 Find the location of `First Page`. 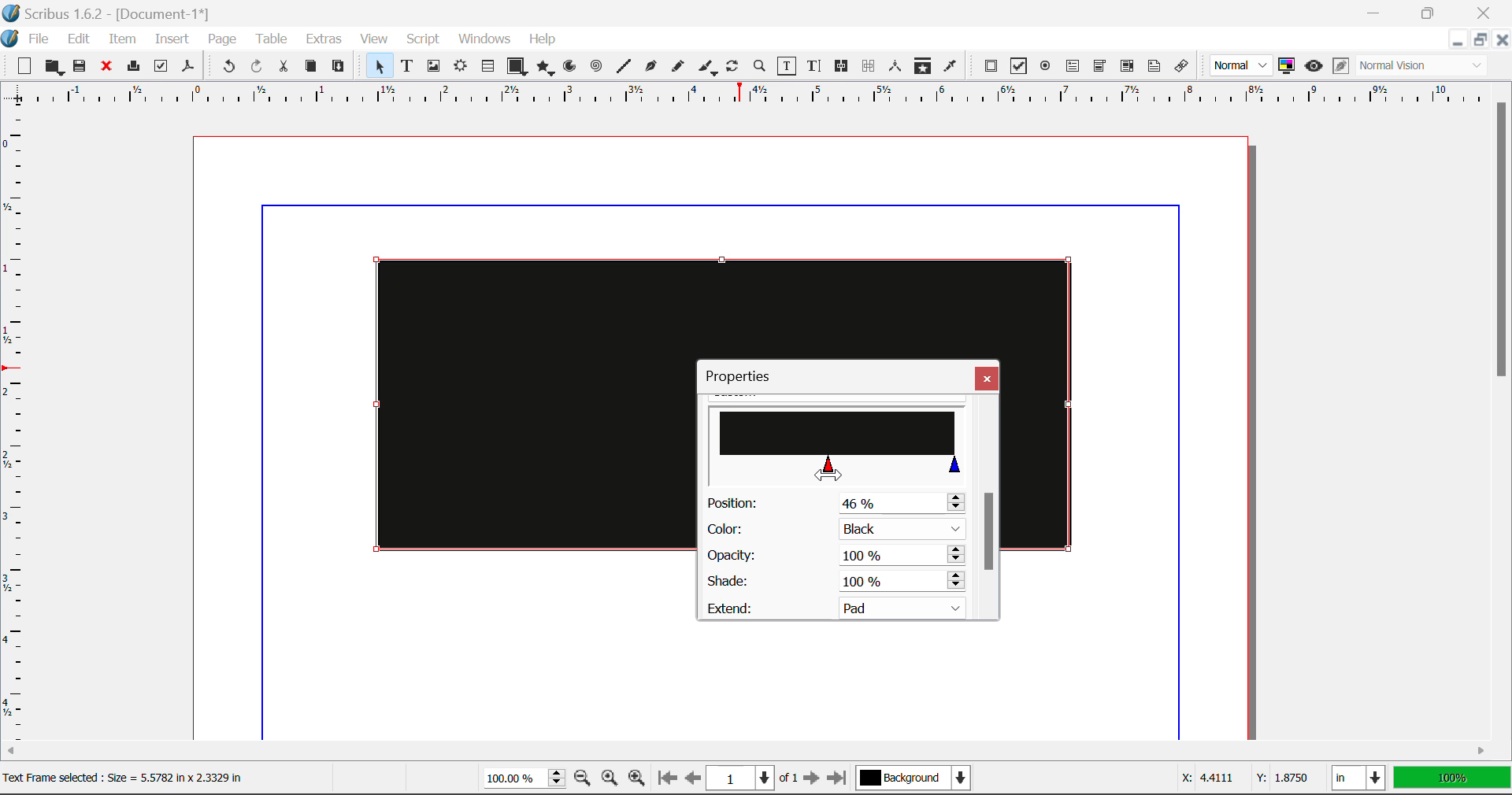

First Page is located at coordinates (665, 779).